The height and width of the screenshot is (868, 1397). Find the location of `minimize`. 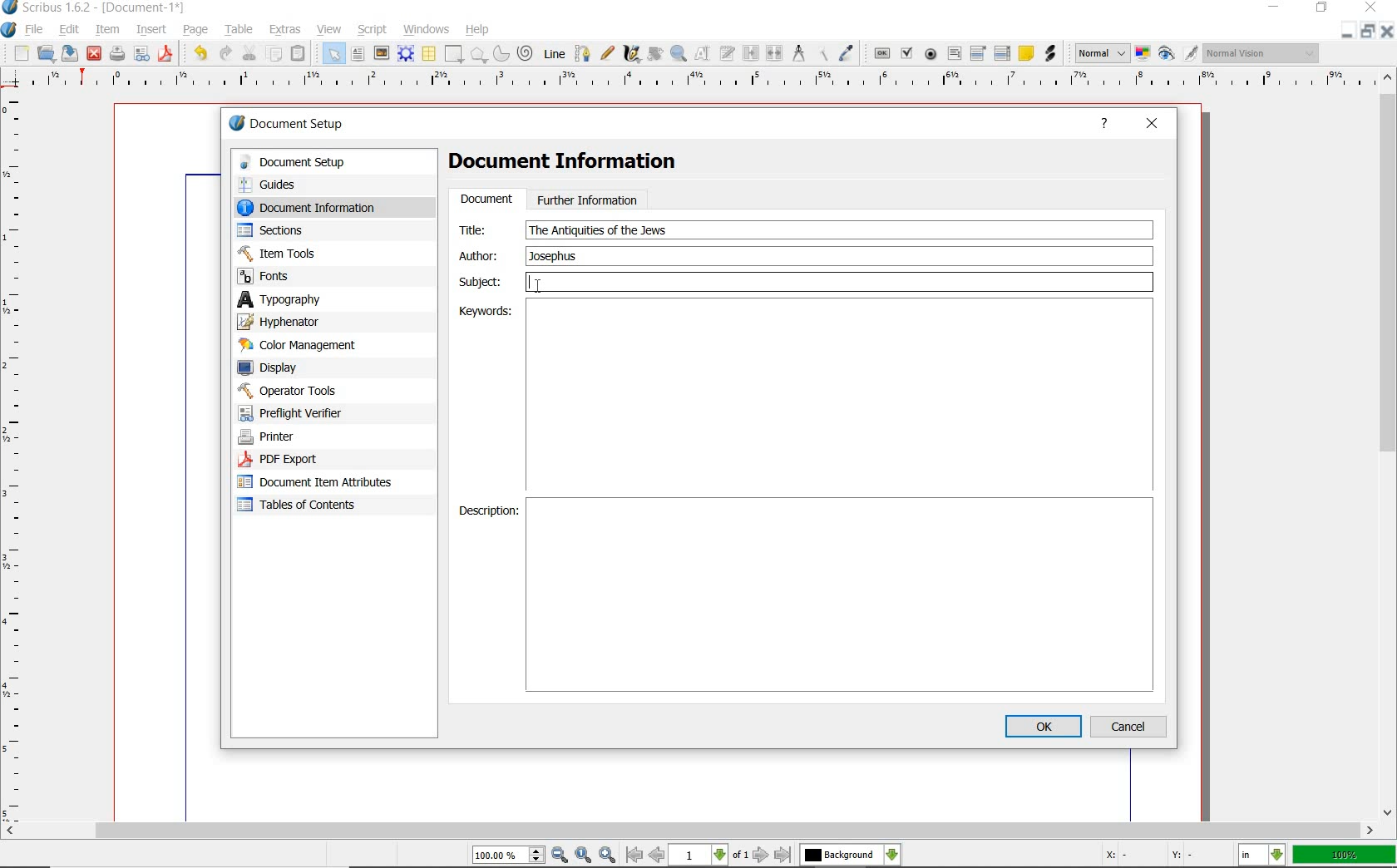

minimize is located at coordinates (1349, 30).